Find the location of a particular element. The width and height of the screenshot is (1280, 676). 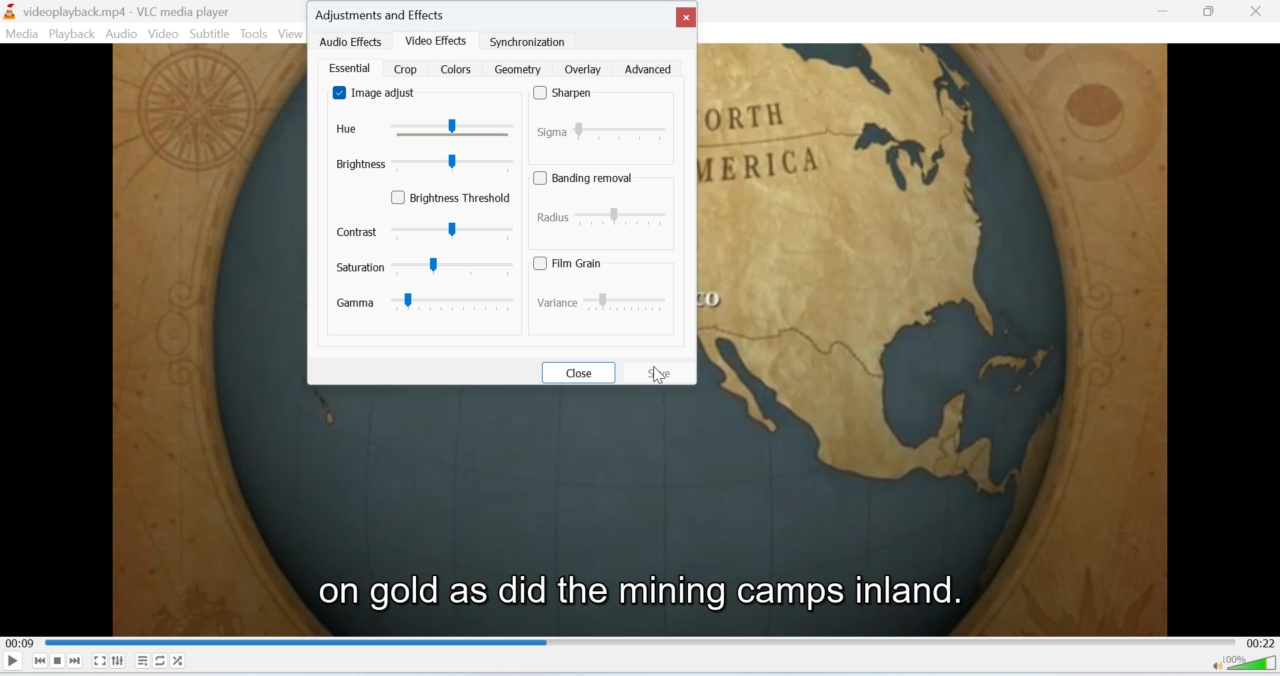

videoplayback.mp4  - vlc media player is located at coordinates (130, 11).